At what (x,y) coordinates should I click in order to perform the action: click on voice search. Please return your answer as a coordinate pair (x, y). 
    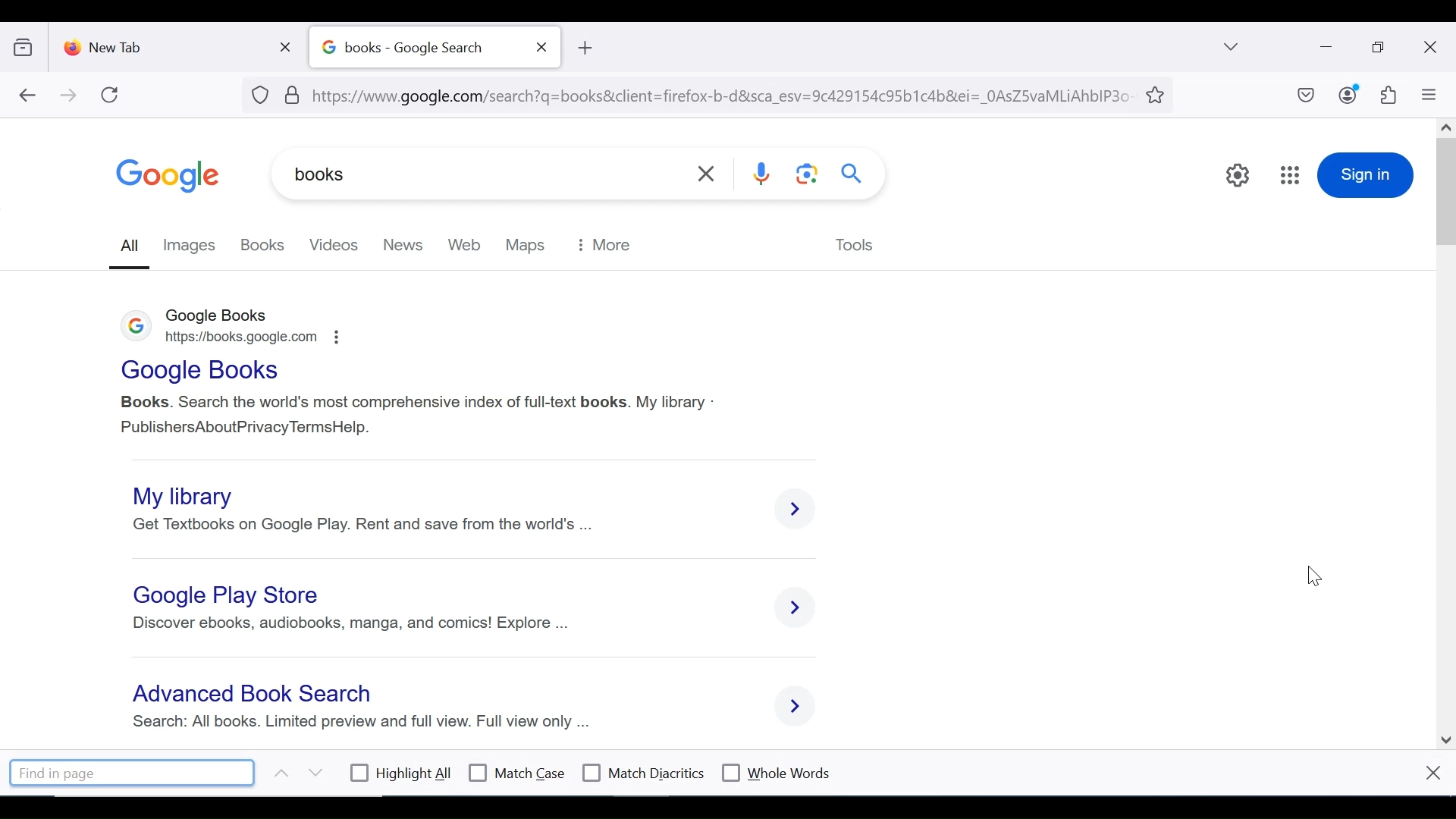
    Looking at the image, I should click on (764, 176).